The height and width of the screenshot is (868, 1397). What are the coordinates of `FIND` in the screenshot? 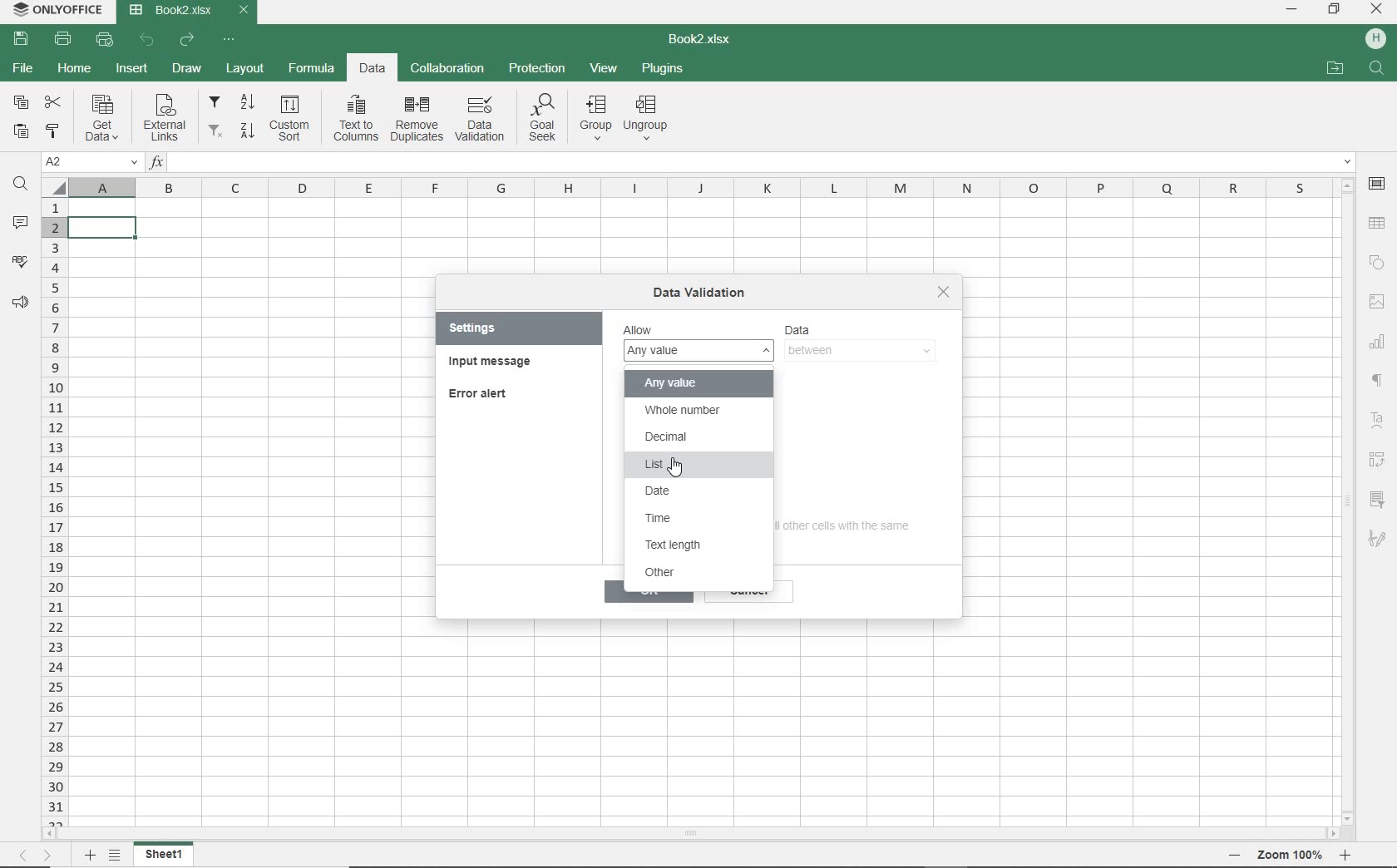 It's located at (19, 185).